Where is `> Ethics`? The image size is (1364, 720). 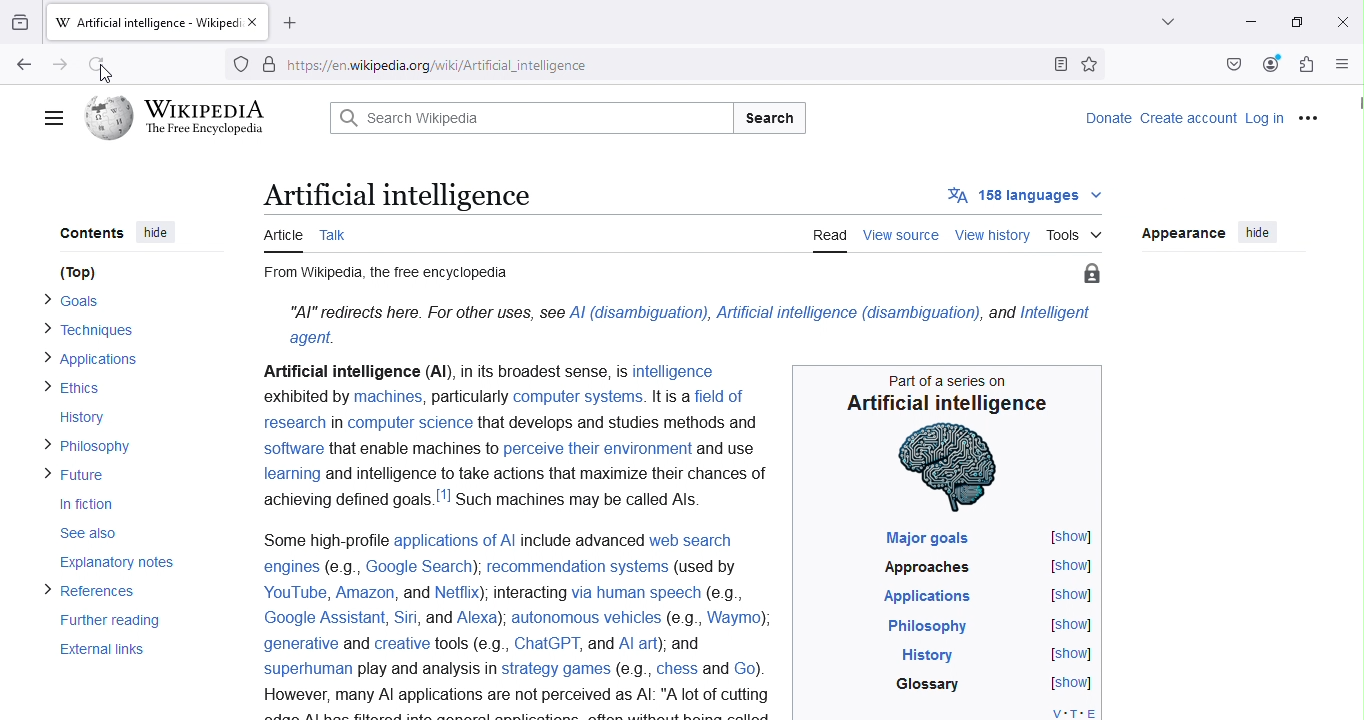 > Ethics is located at coordinates (66, 389).